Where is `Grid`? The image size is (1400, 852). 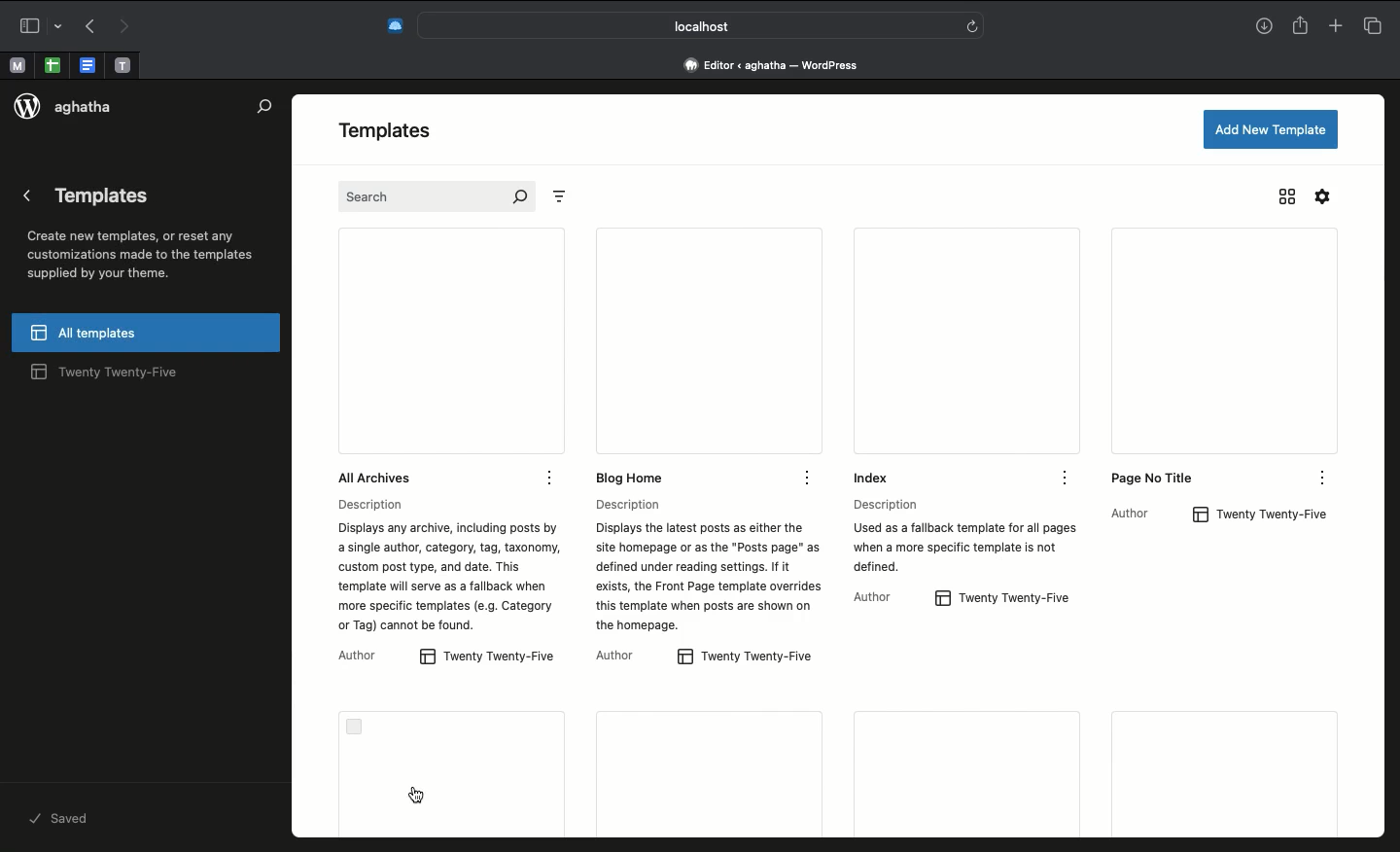
Grid is located at coordinates (1286, 197).